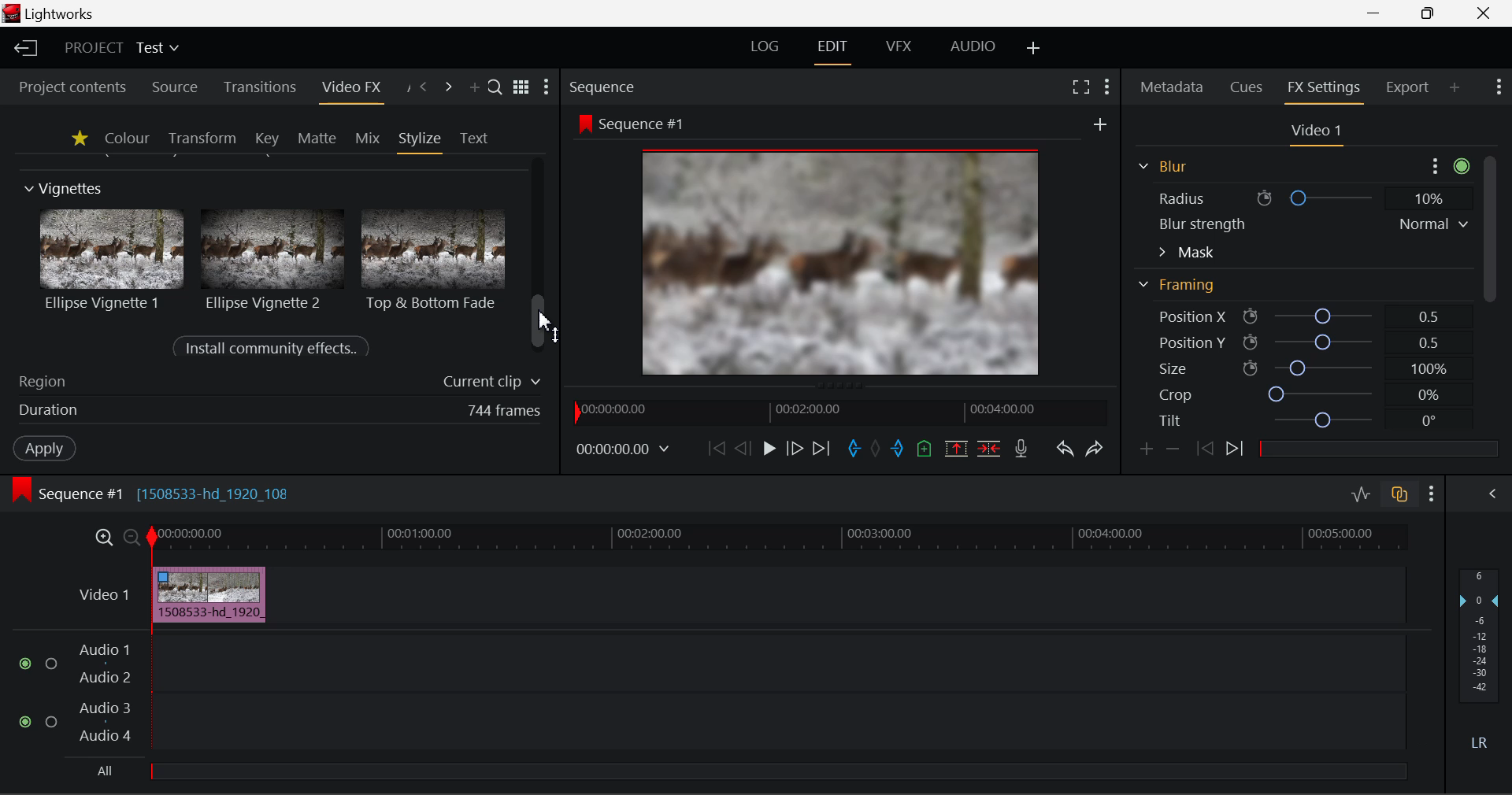 This screenshot has width=1512, height=795. I want to click on VFX Layout, so click(899, 49).